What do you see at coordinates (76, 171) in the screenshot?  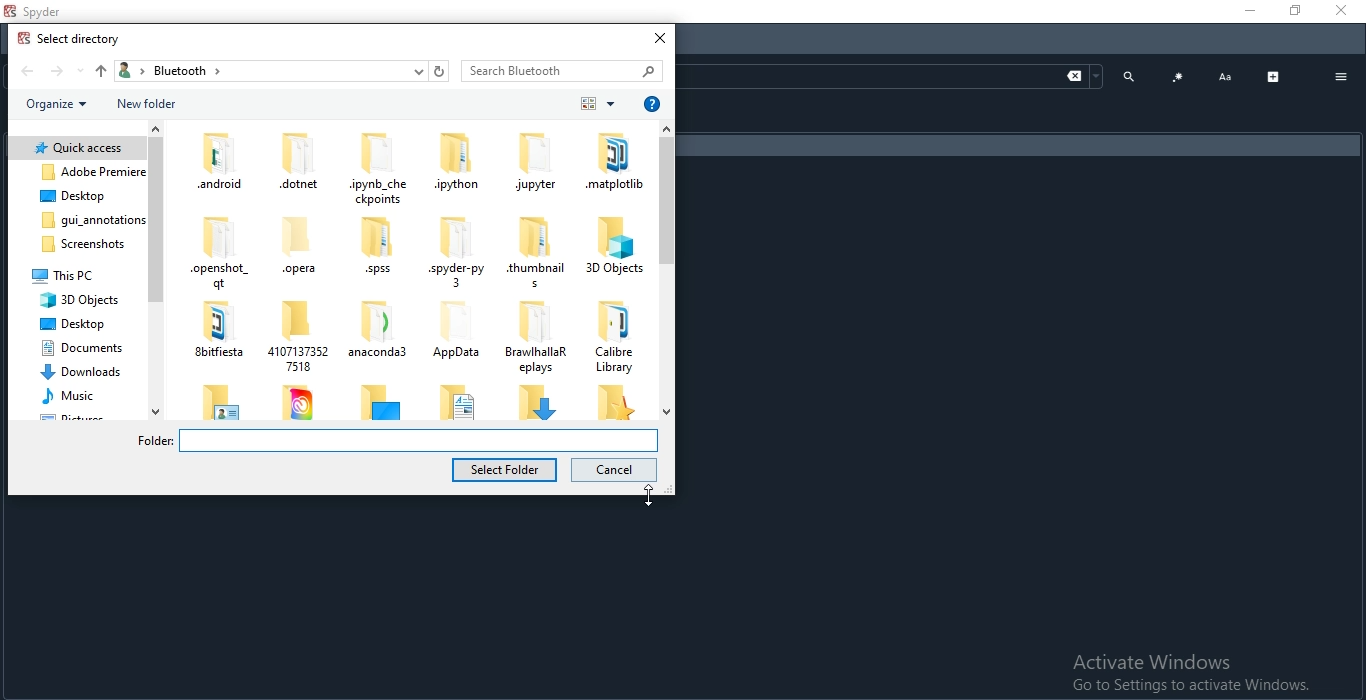 I see `file2` at bounding box center [76, 171].